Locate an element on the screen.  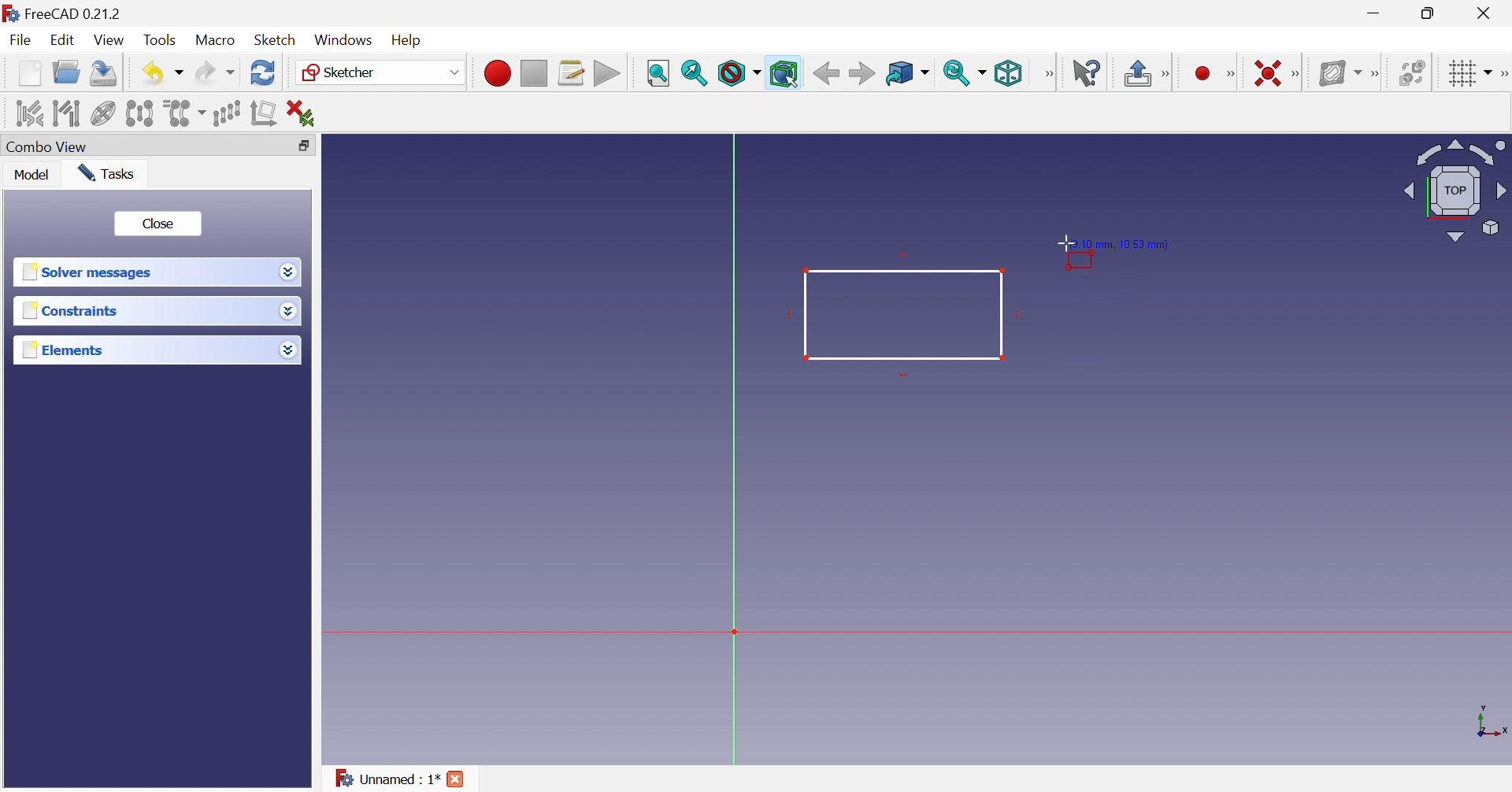
logo is located at coordinates (10, 13).